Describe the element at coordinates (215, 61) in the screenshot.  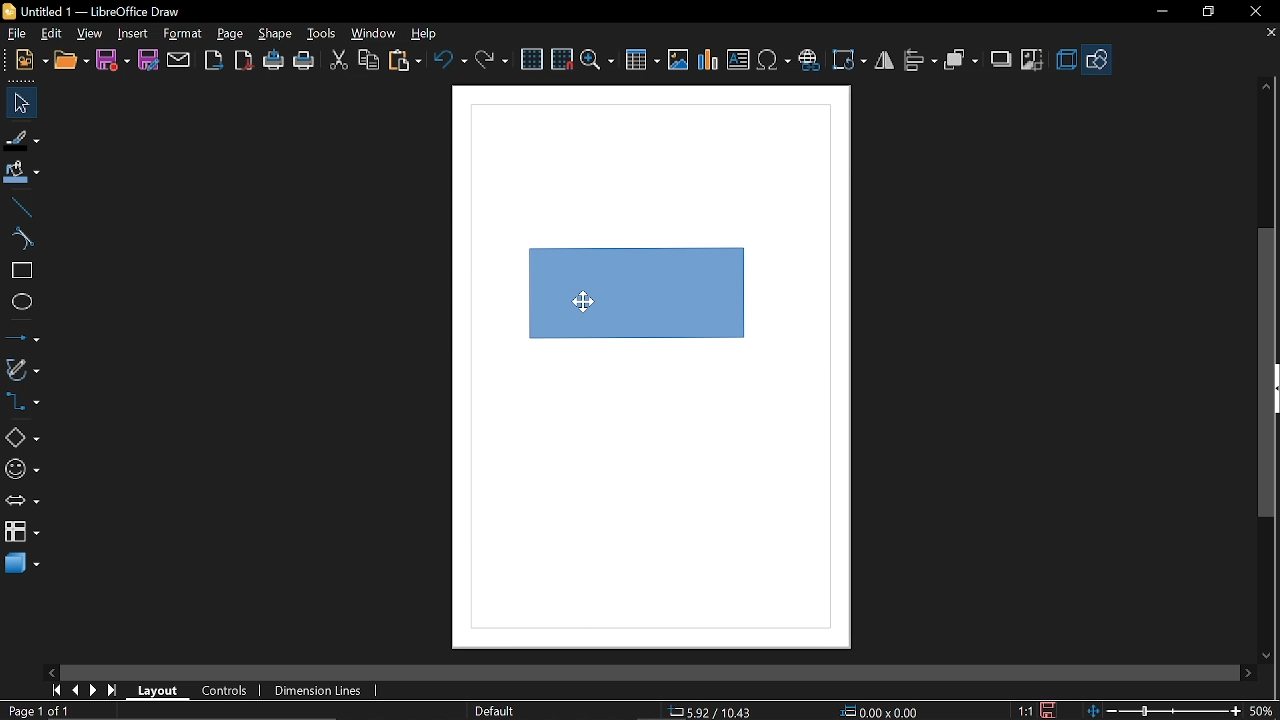
I see `Import` at that location.